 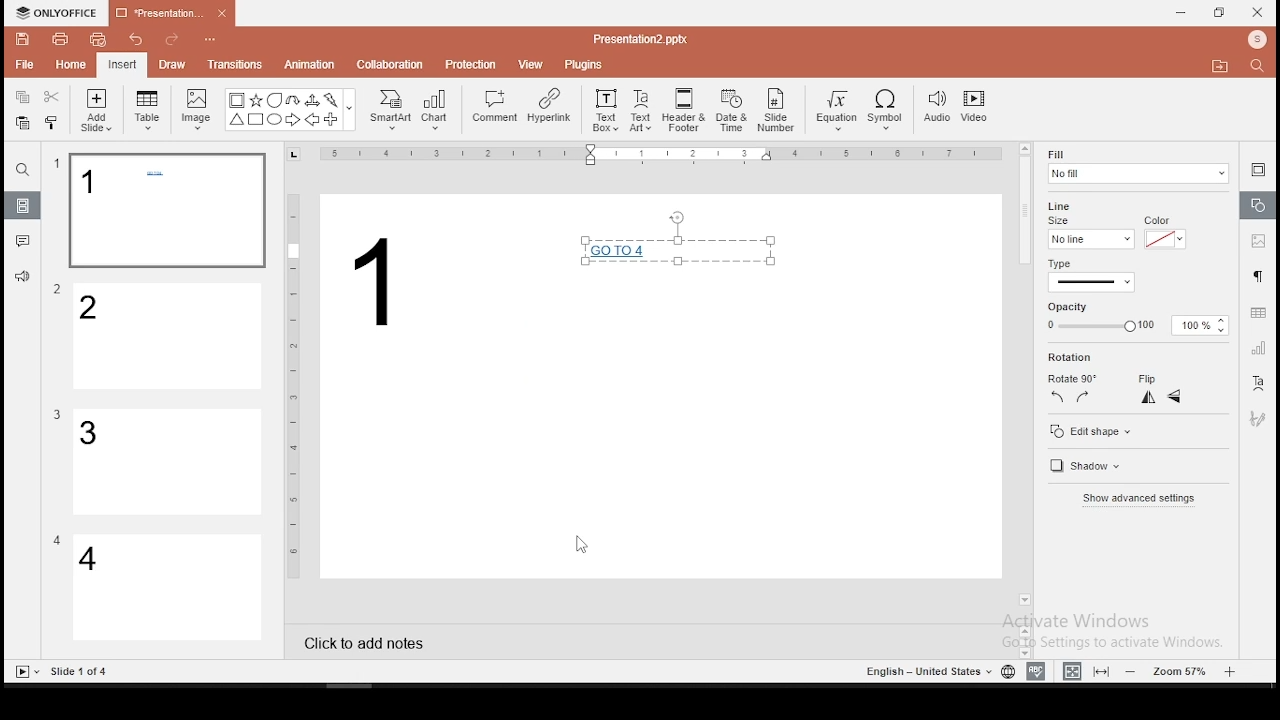 I want to click on text, so click(x=677, y=255).